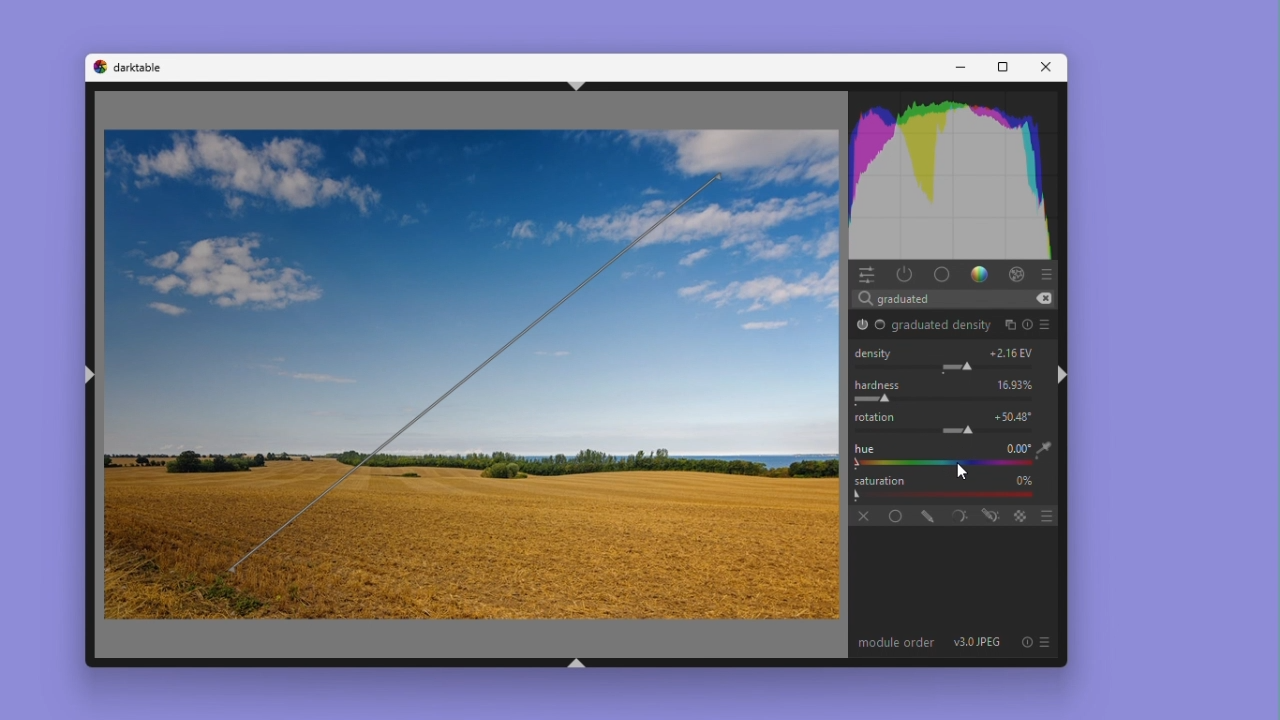  Describe the element at coordinates (999, 68) in the screenshot. I see `Maximise` at that location.